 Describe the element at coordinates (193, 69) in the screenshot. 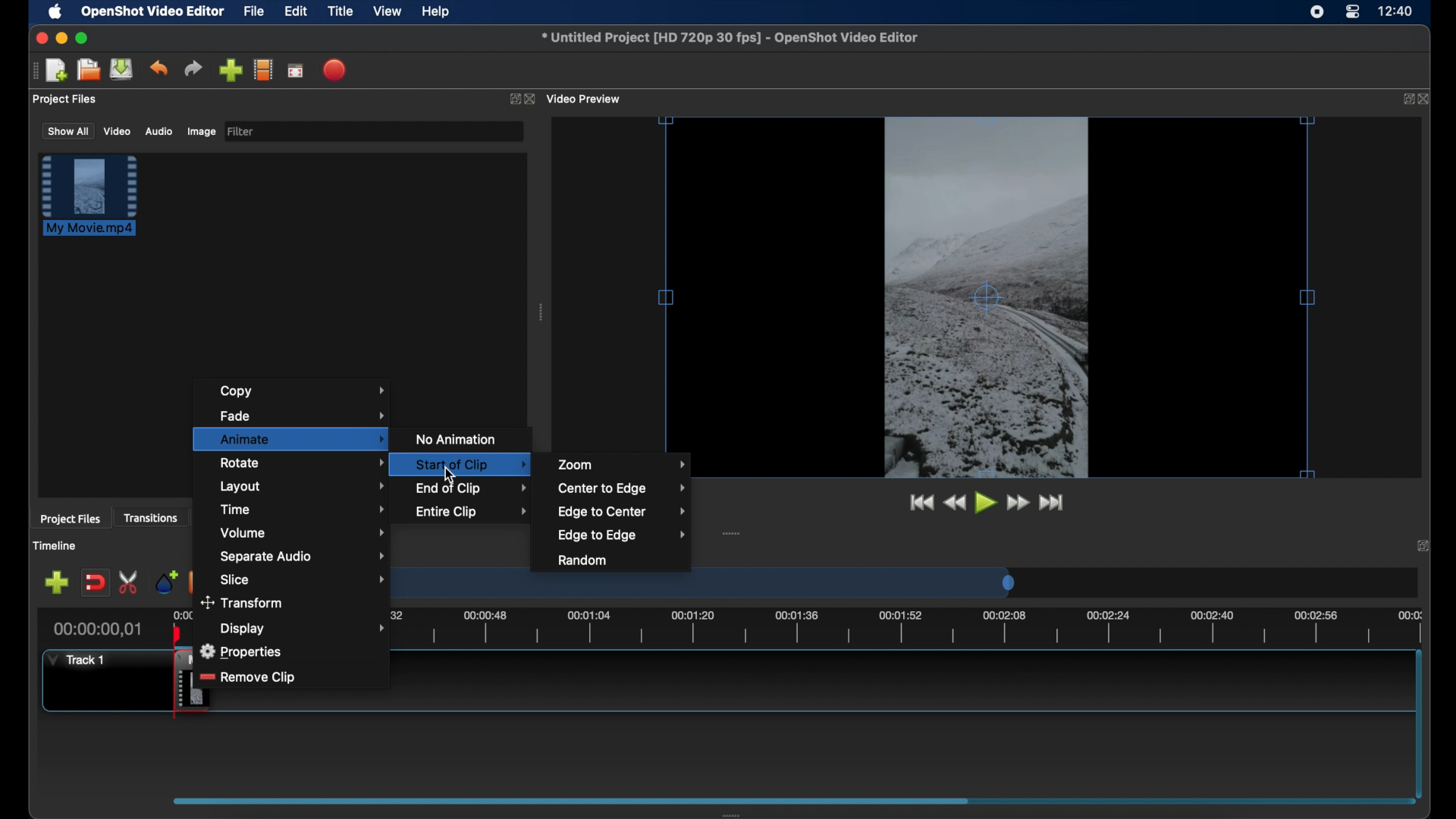

I see `redo` at that location.